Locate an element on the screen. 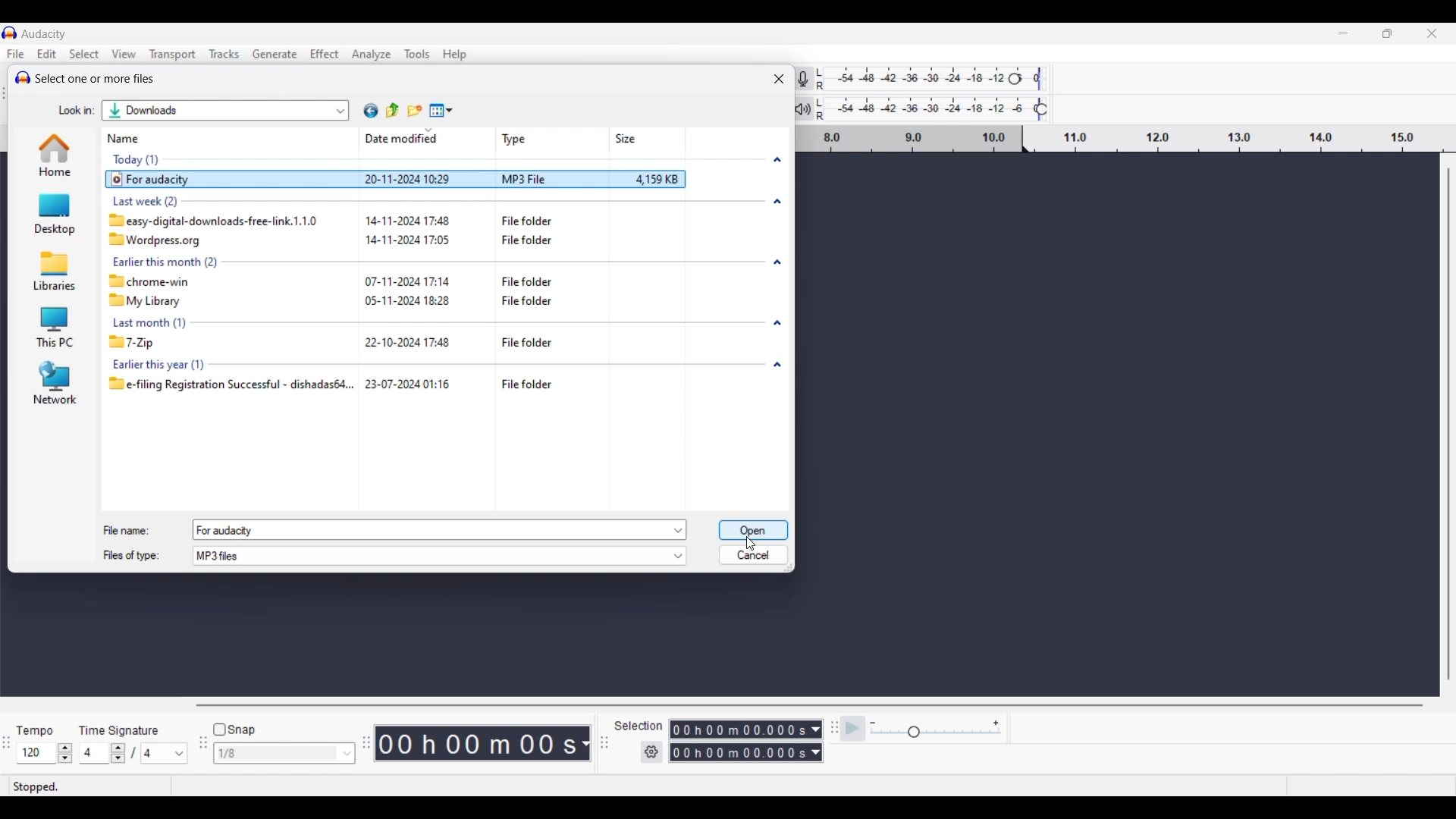 The height and width of the screenshot is (819, 1456). Last week (2) is located at coordinates (222, 199).